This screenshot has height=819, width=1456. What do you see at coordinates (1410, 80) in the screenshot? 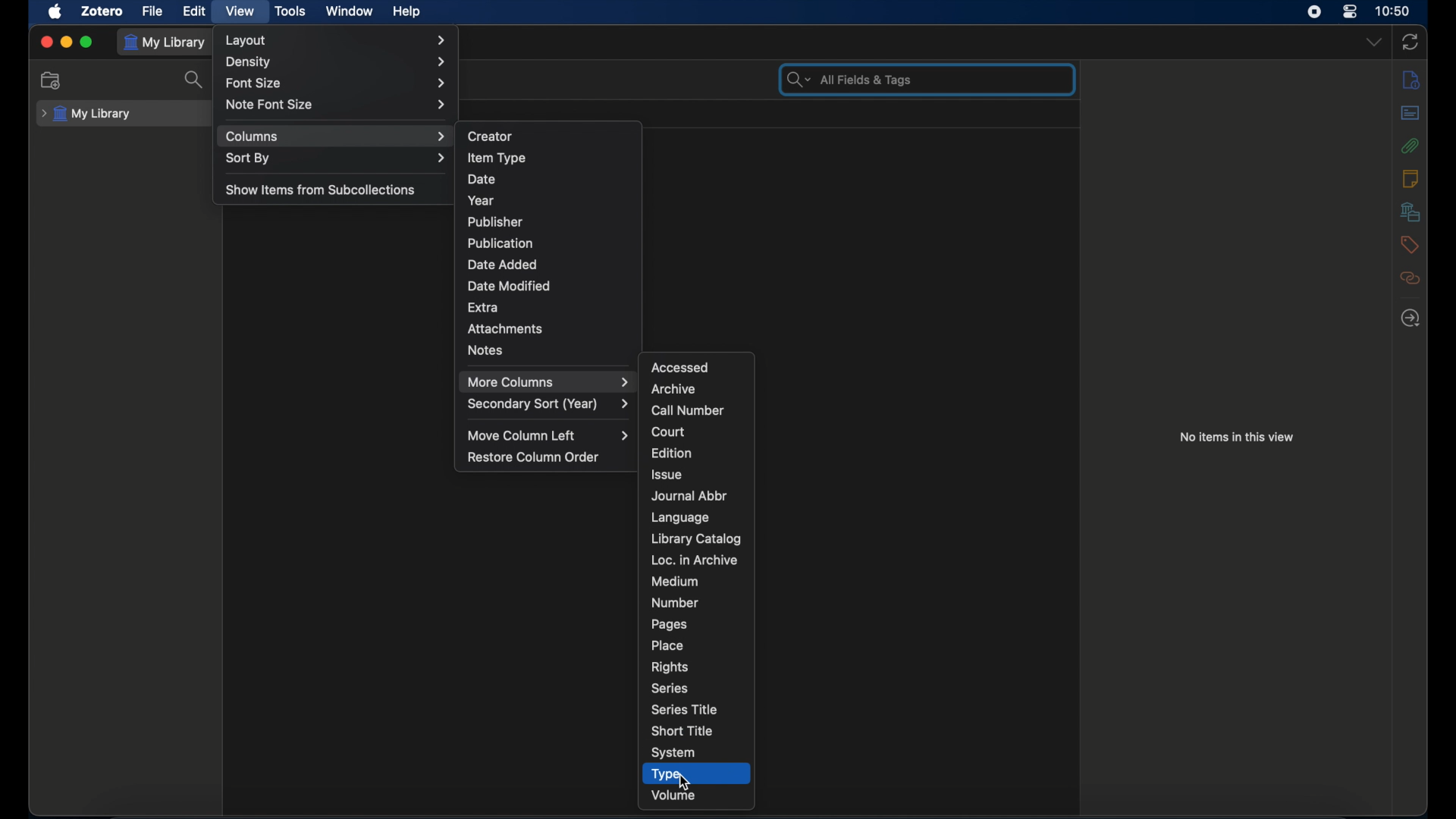
I see `info` at bounding box center [1410, 80].